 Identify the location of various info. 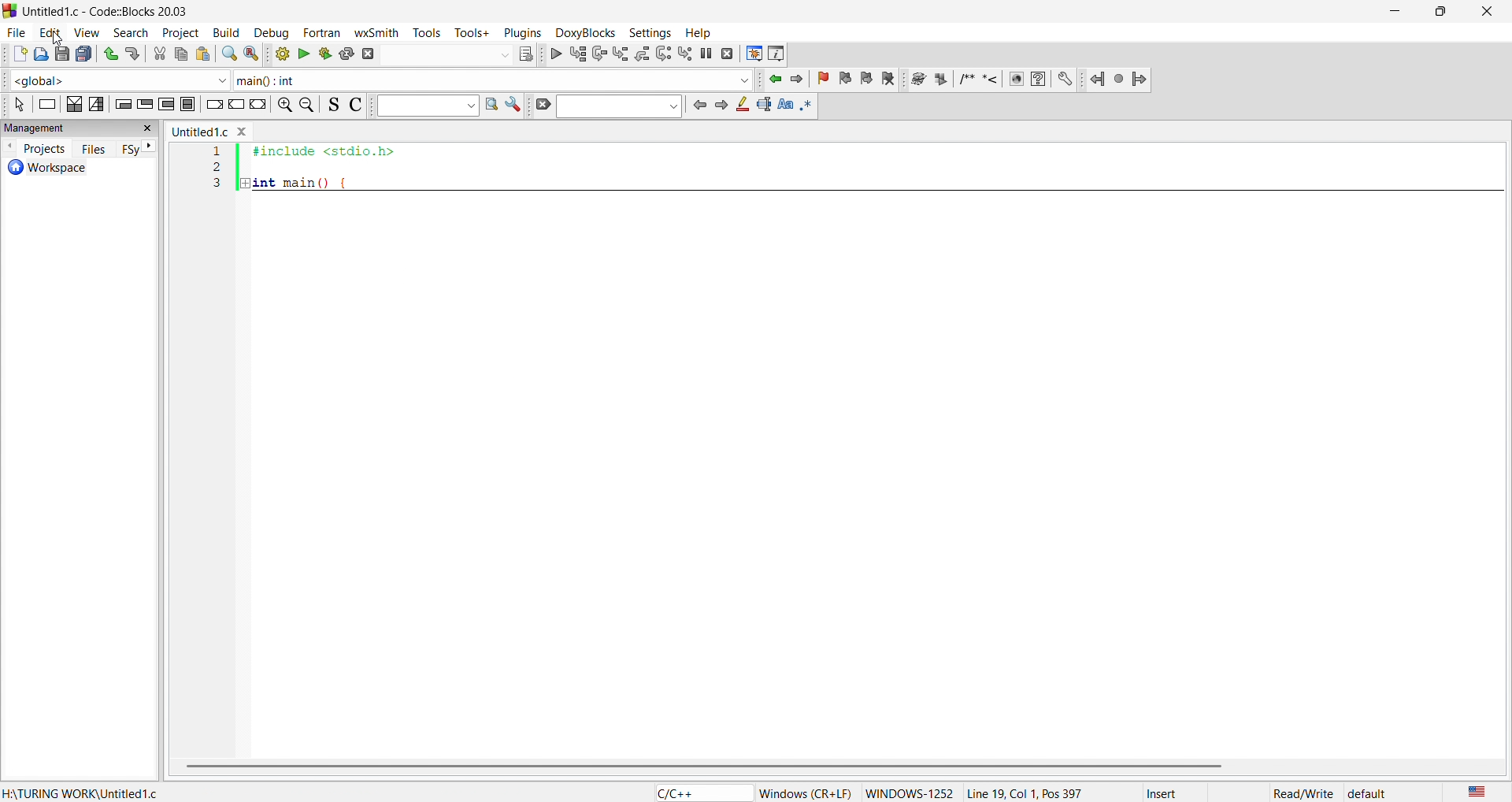
(777, 53).